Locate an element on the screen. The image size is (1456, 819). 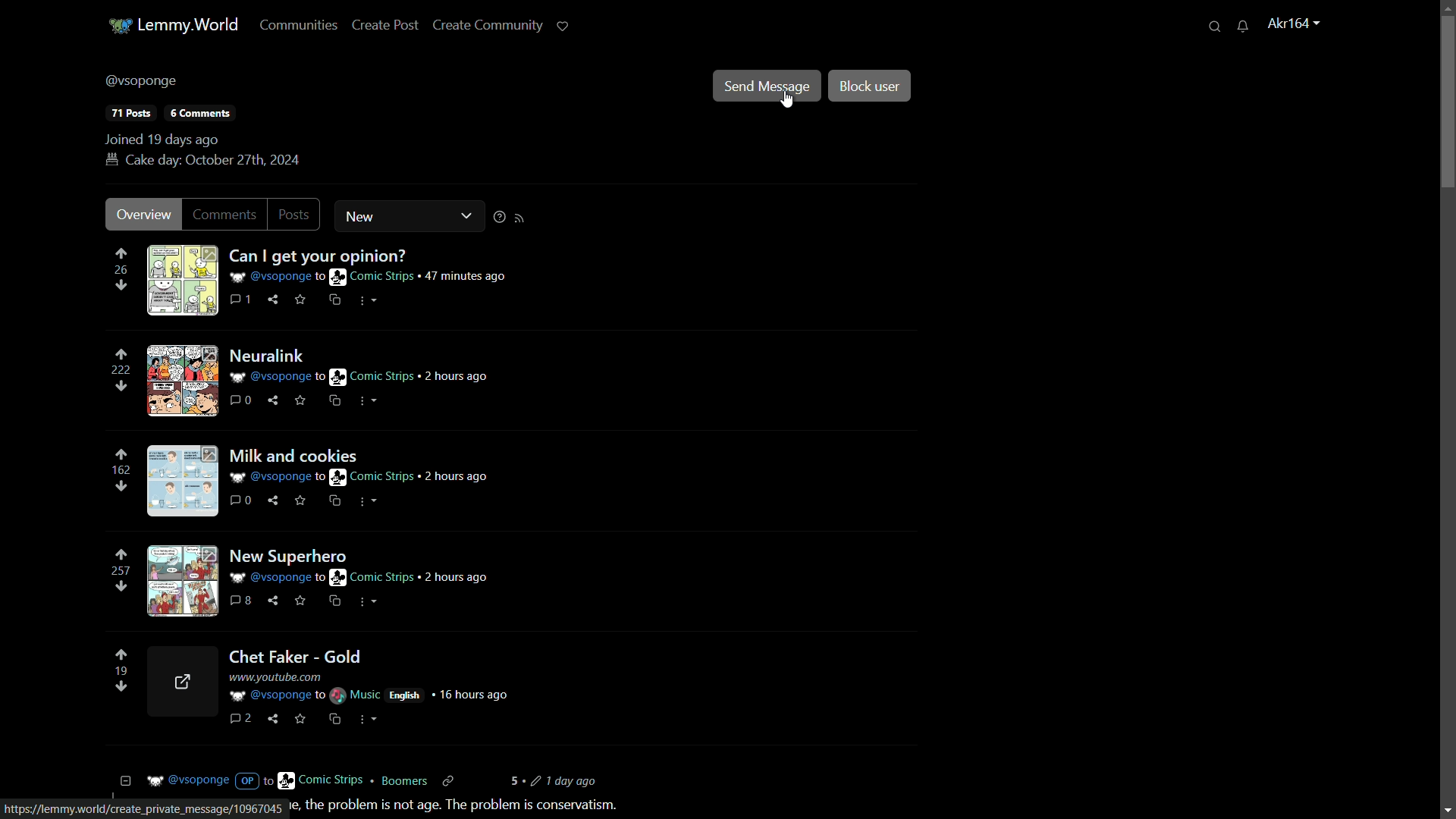
save is located at coordinates (303, 400).